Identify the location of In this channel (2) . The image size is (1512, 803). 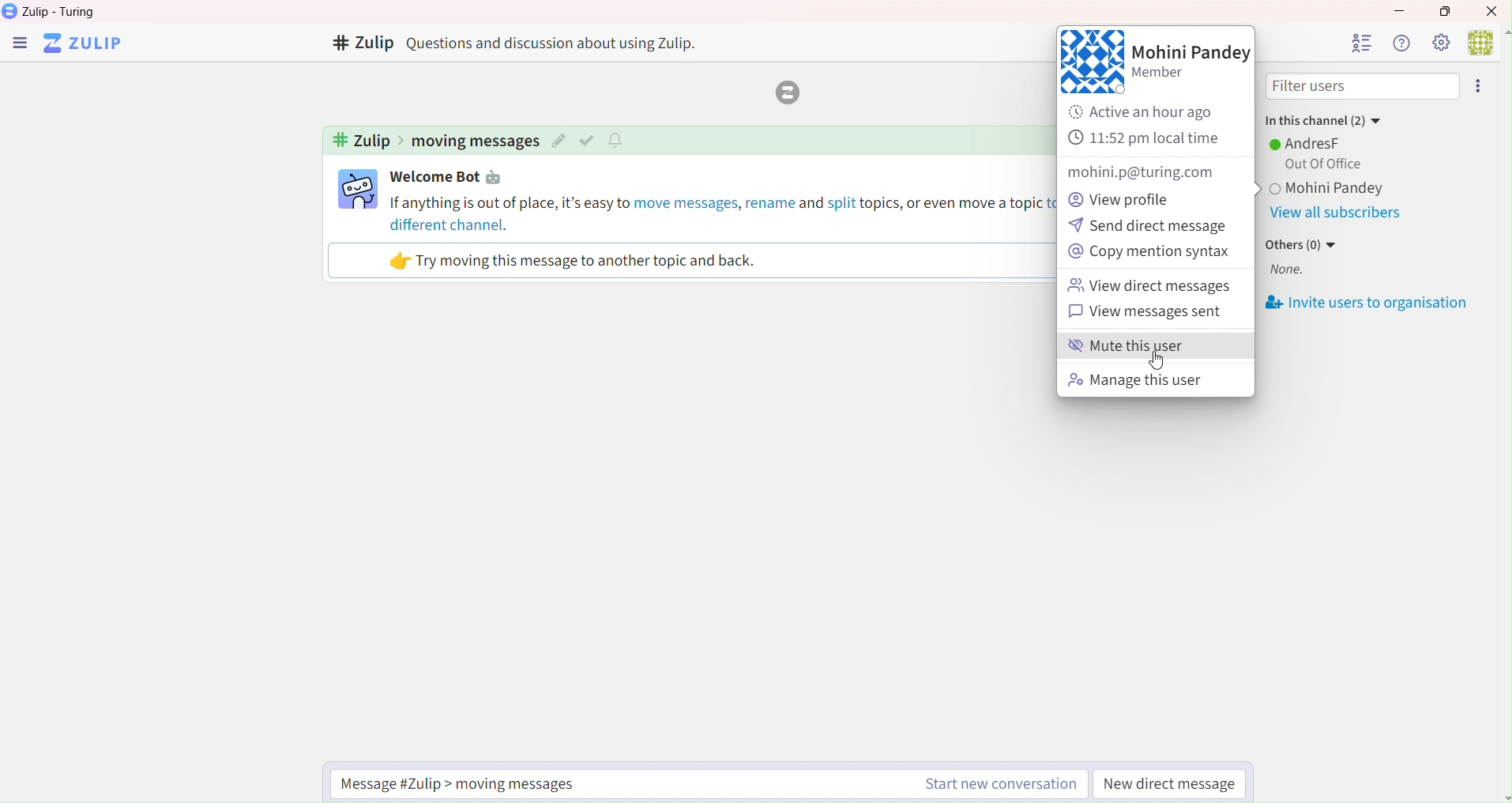
(1322, 118).